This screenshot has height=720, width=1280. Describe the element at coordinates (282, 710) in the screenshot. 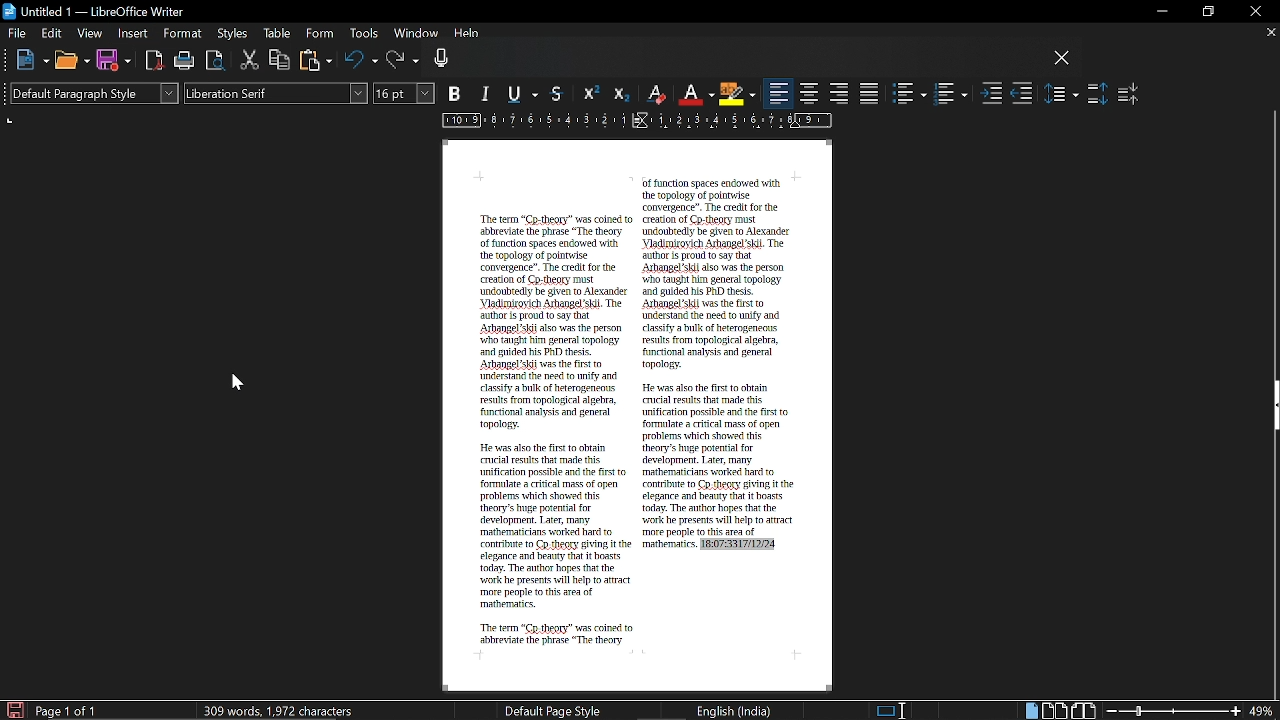

I see `306 words, 1956 characters` at that location.